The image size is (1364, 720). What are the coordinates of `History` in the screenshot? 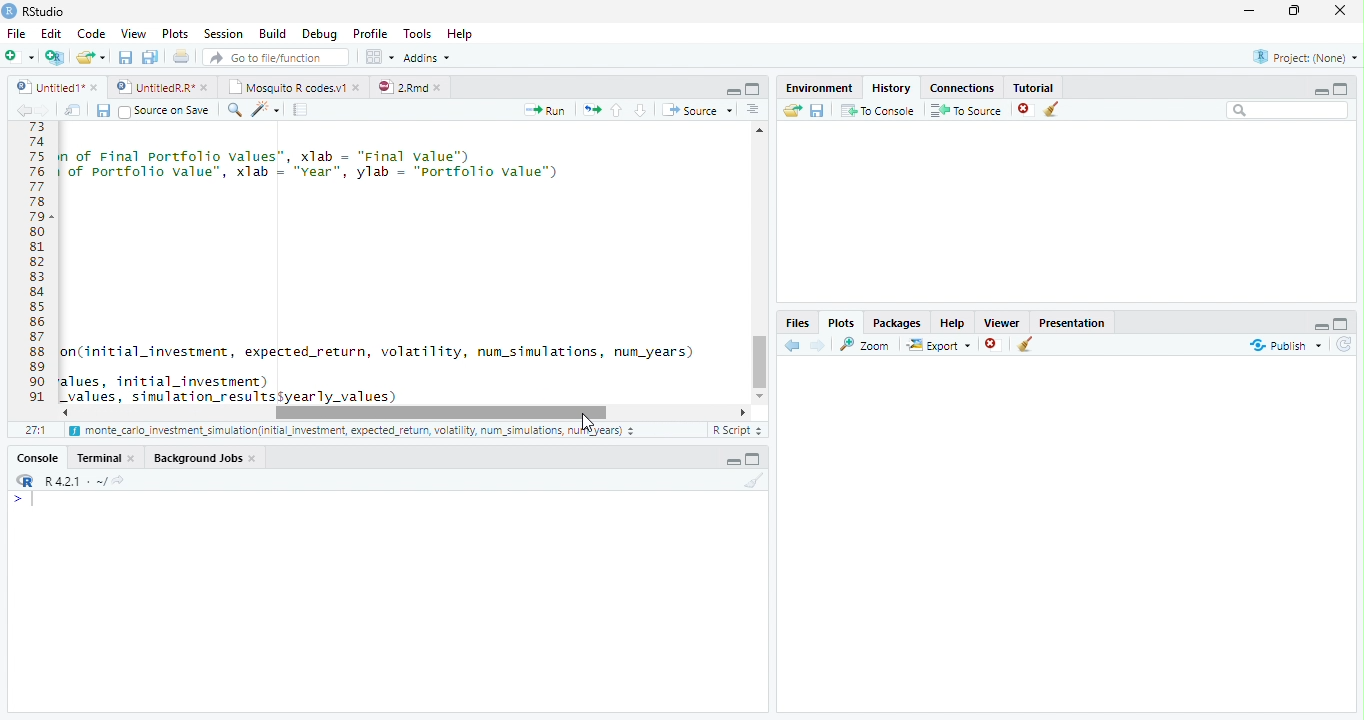 It's located at (890, 86).